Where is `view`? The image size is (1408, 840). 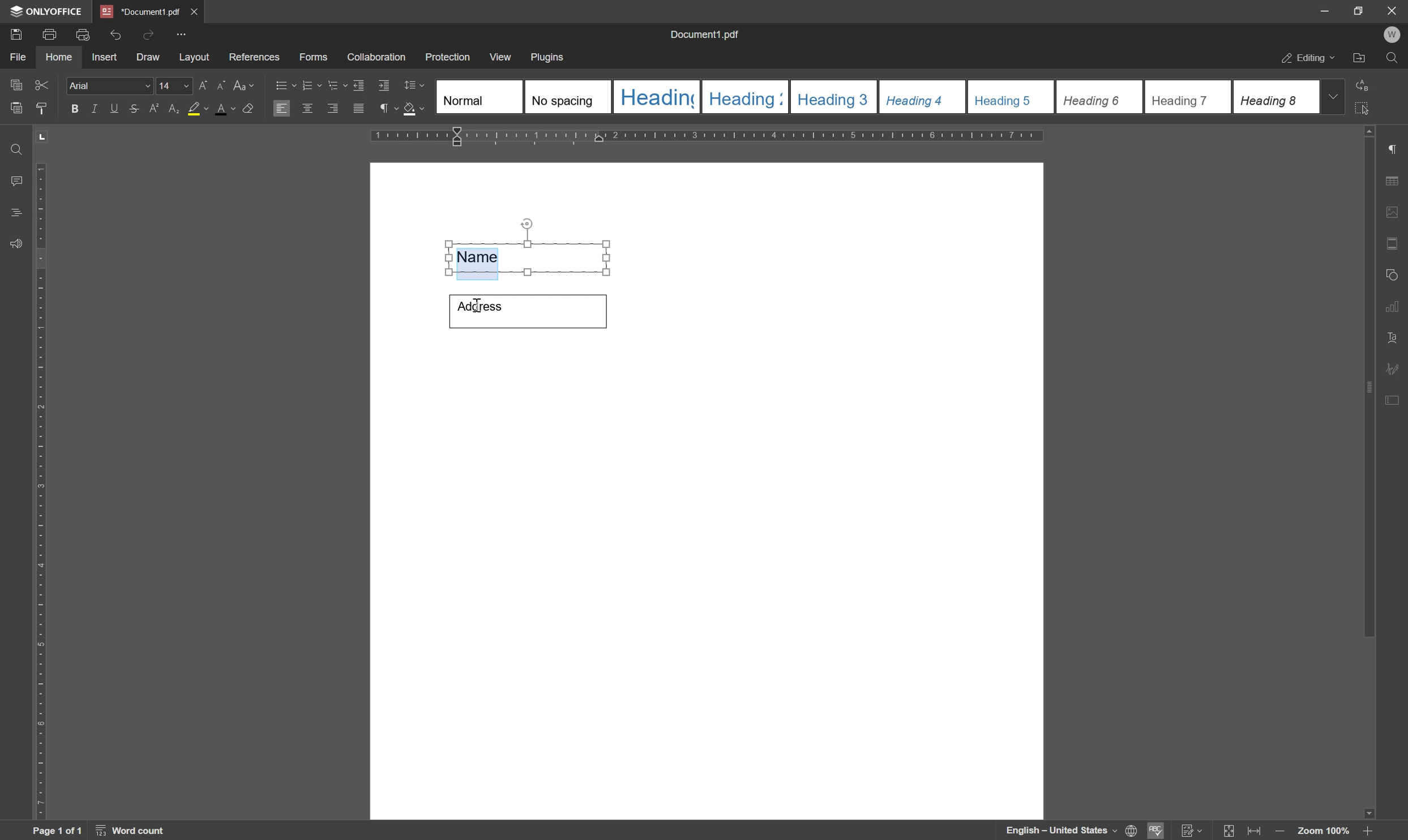
view is located at coordinates (502, 57).